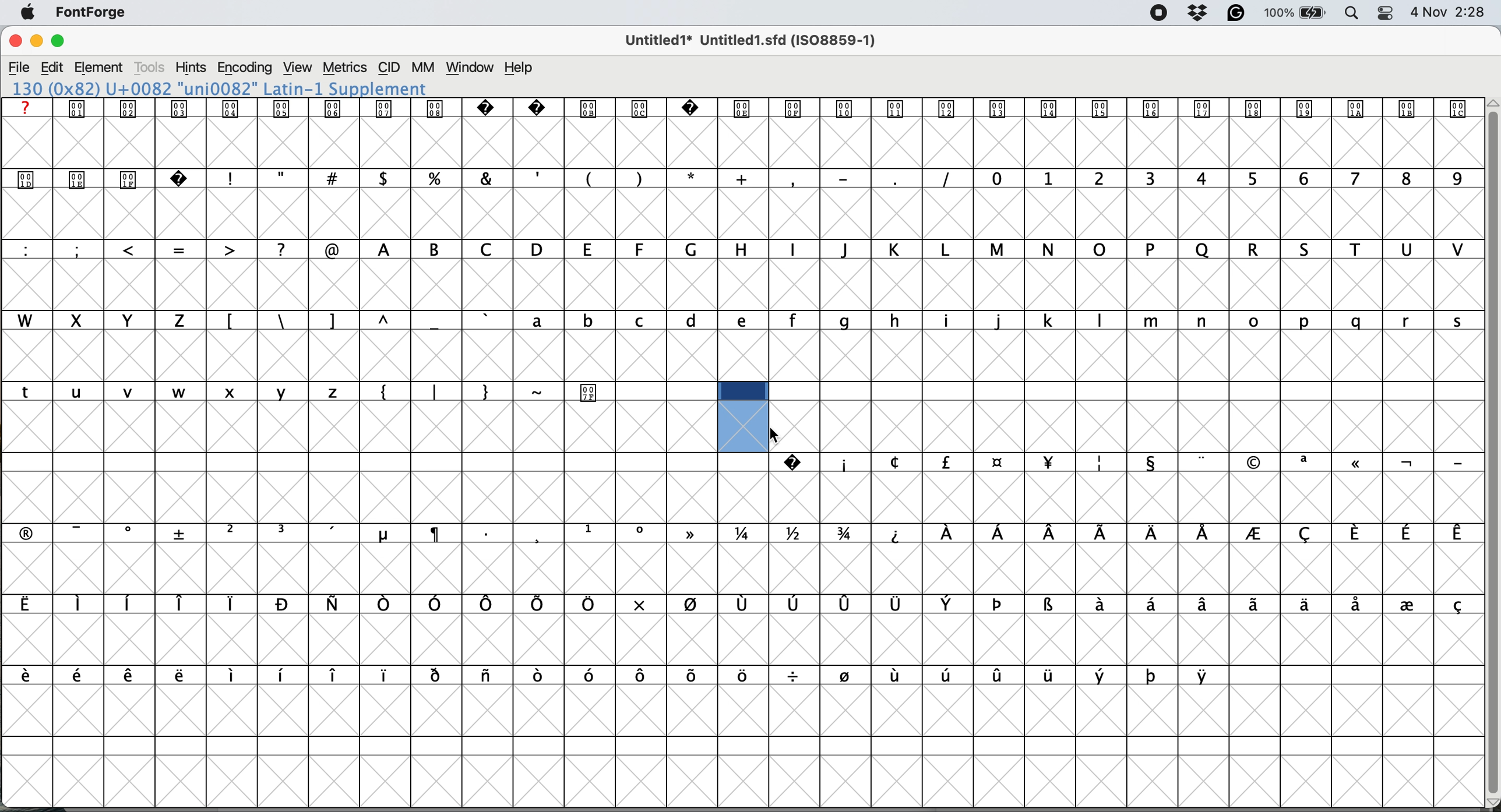 The image size is (1501, 812). Describe the element at coordinates (916, 251) in the screenshot. I see `uppercase letters` at that location.